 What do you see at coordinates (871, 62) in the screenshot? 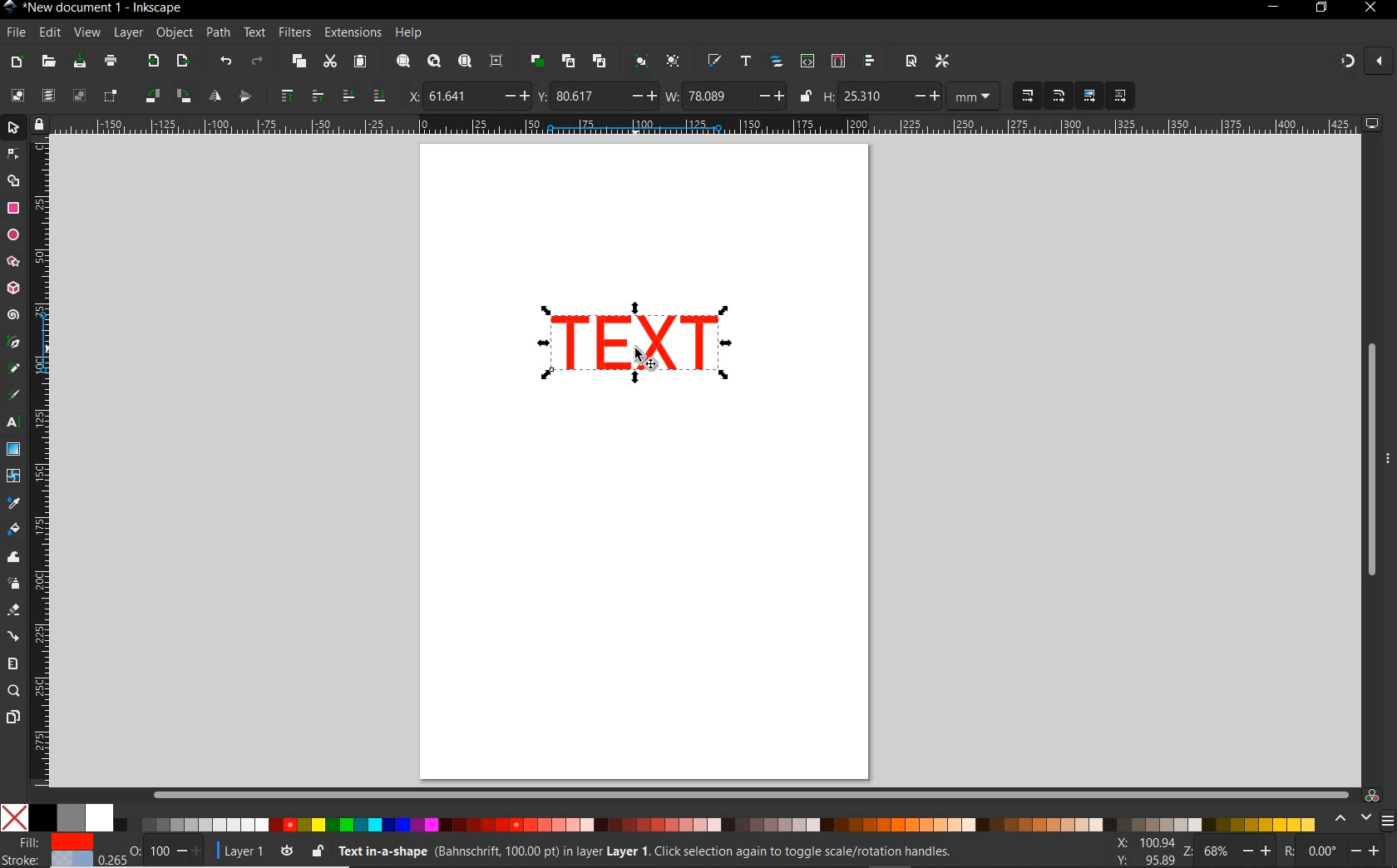
I see `open align and distribute` at bounding box center [871, 62].